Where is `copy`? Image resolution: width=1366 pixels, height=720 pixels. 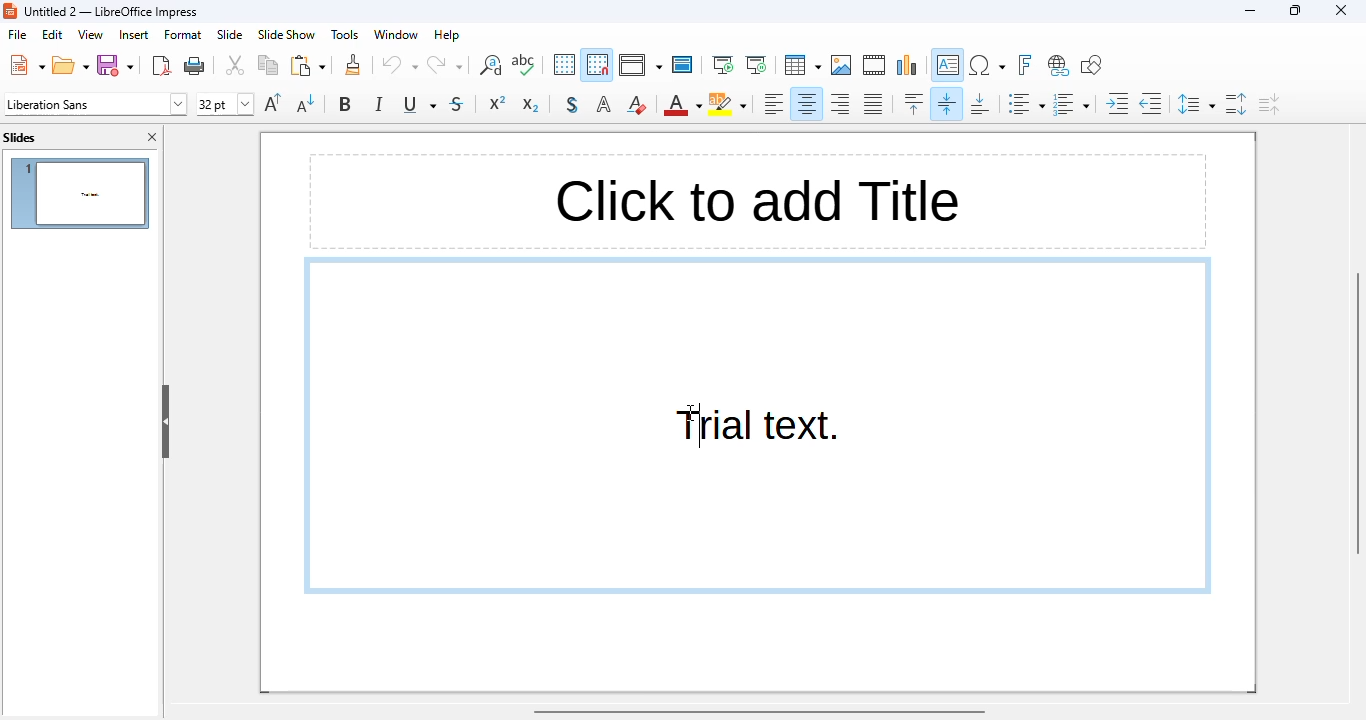 copy is located at coordinates (268, 65).